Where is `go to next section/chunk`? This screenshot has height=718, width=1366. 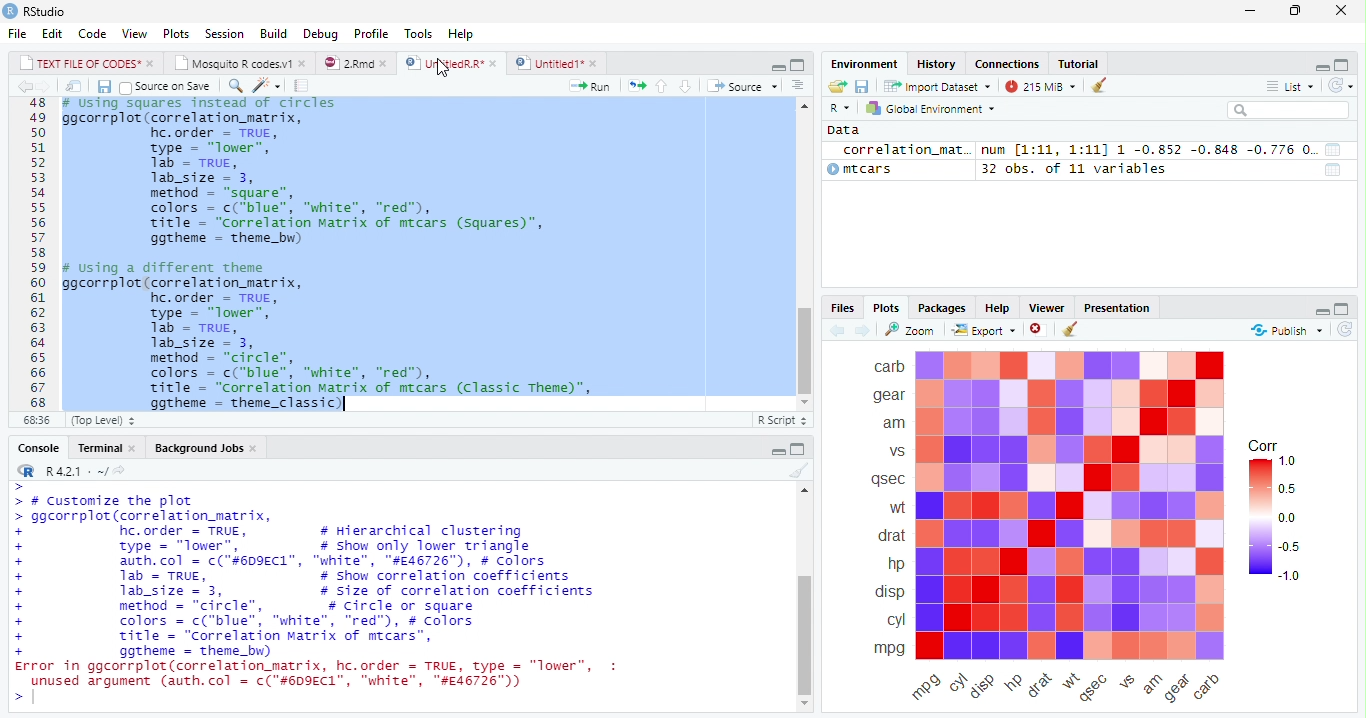
go to next section/chunk is located at coordinates (683, 86).